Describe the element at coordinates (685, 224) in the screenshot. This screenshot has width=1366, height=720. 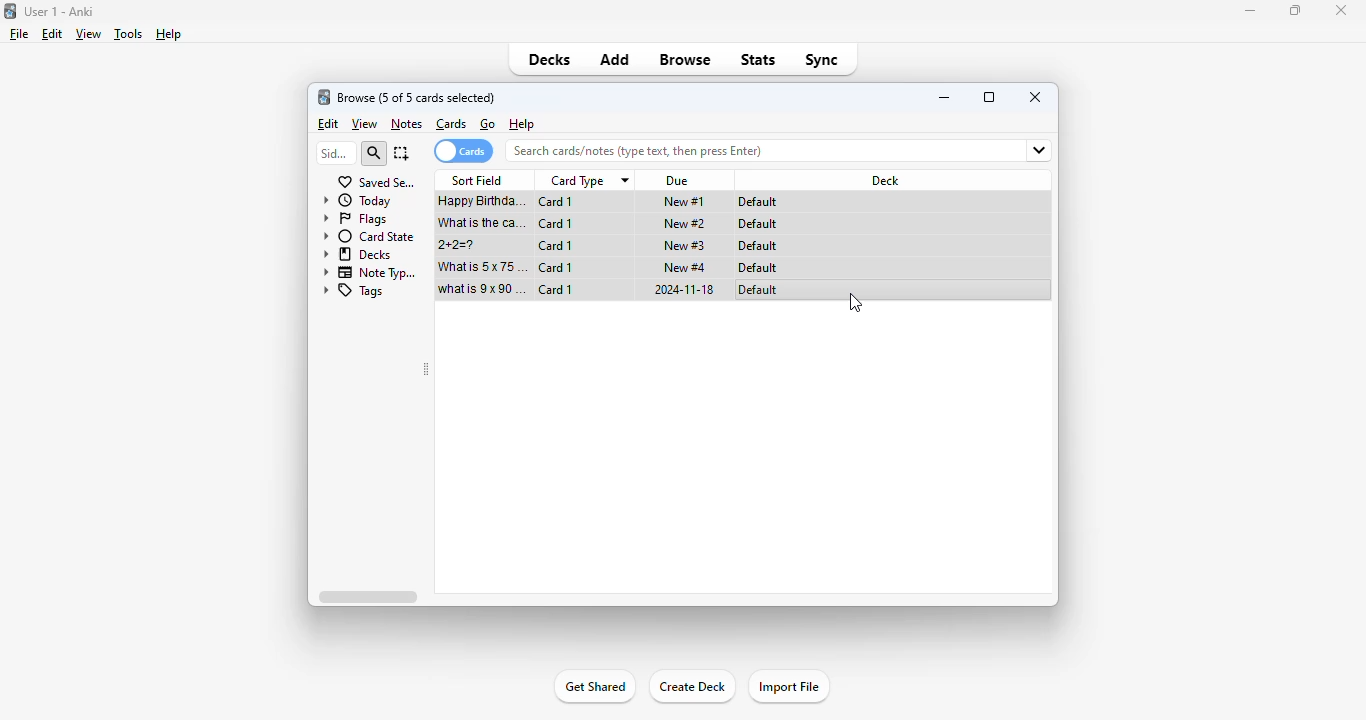
I see `new #2` at that location.